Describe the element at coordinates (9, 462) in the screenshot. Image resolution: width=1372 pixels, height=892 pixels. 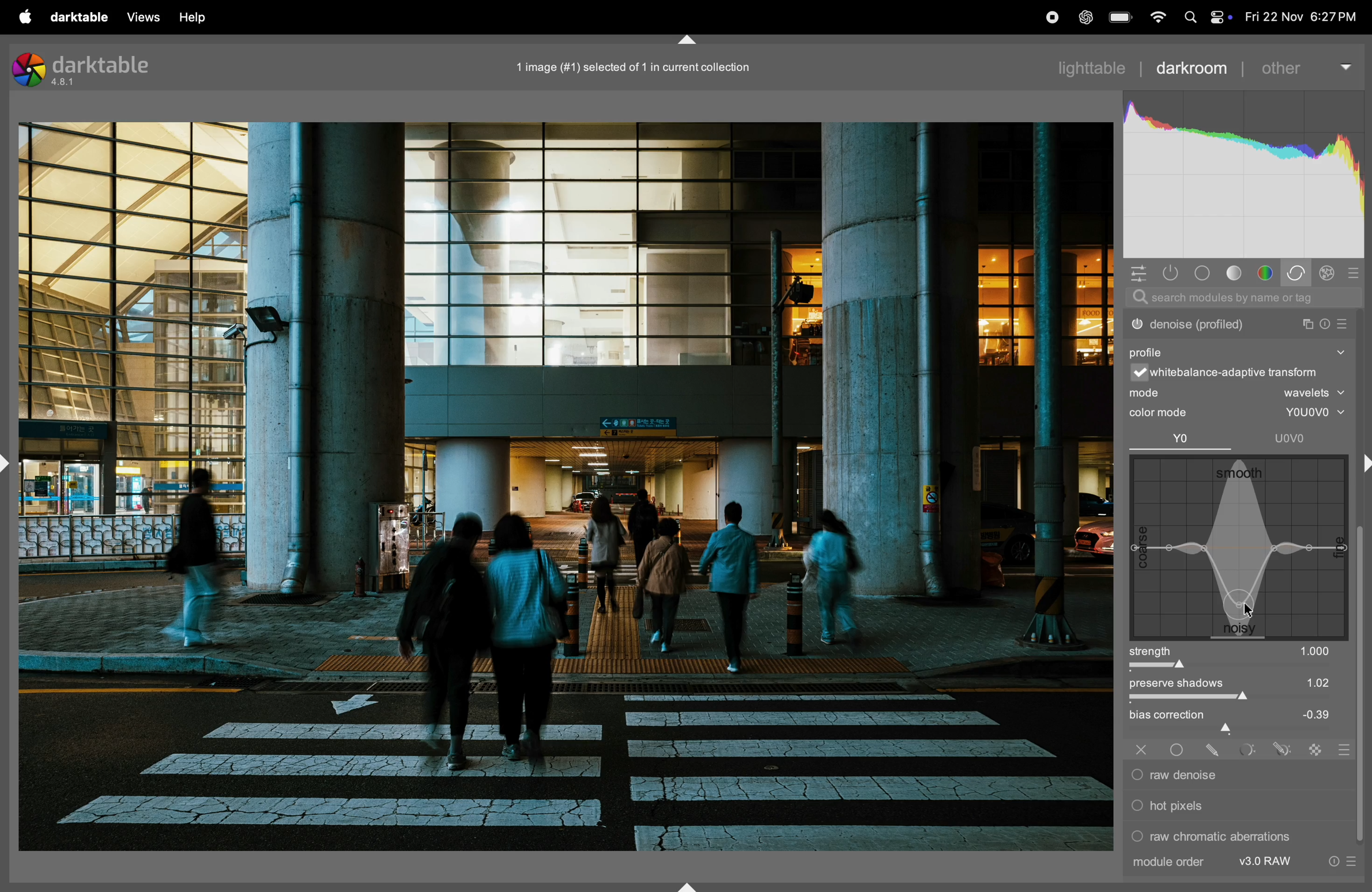
I see `shift+ctrl+l` at that location.